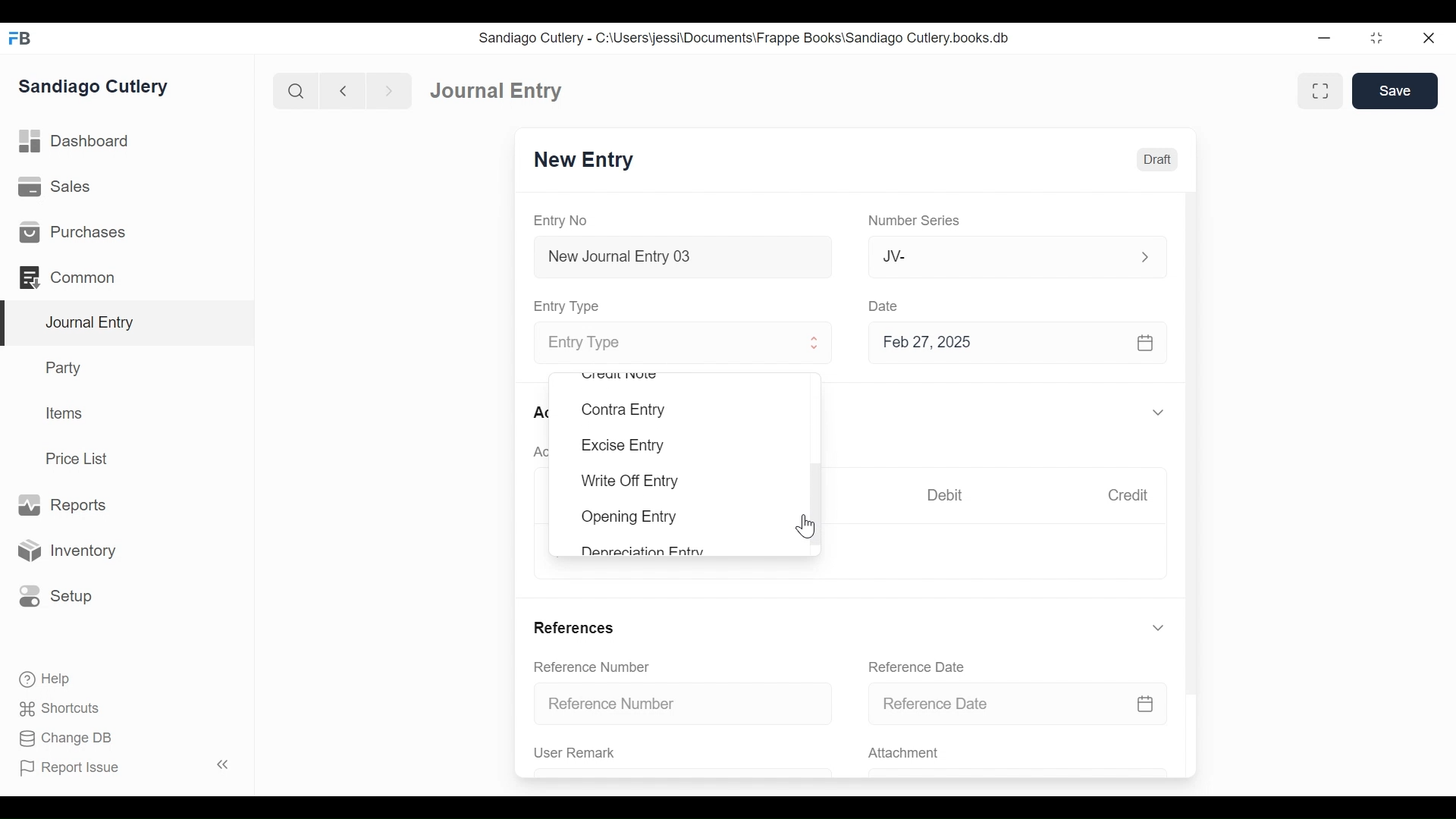 The height and width of the screenshot is (819, 1456). Describe the element at coordinates (1029, 703) in the screenshot. I see `Reference Date` at that location.